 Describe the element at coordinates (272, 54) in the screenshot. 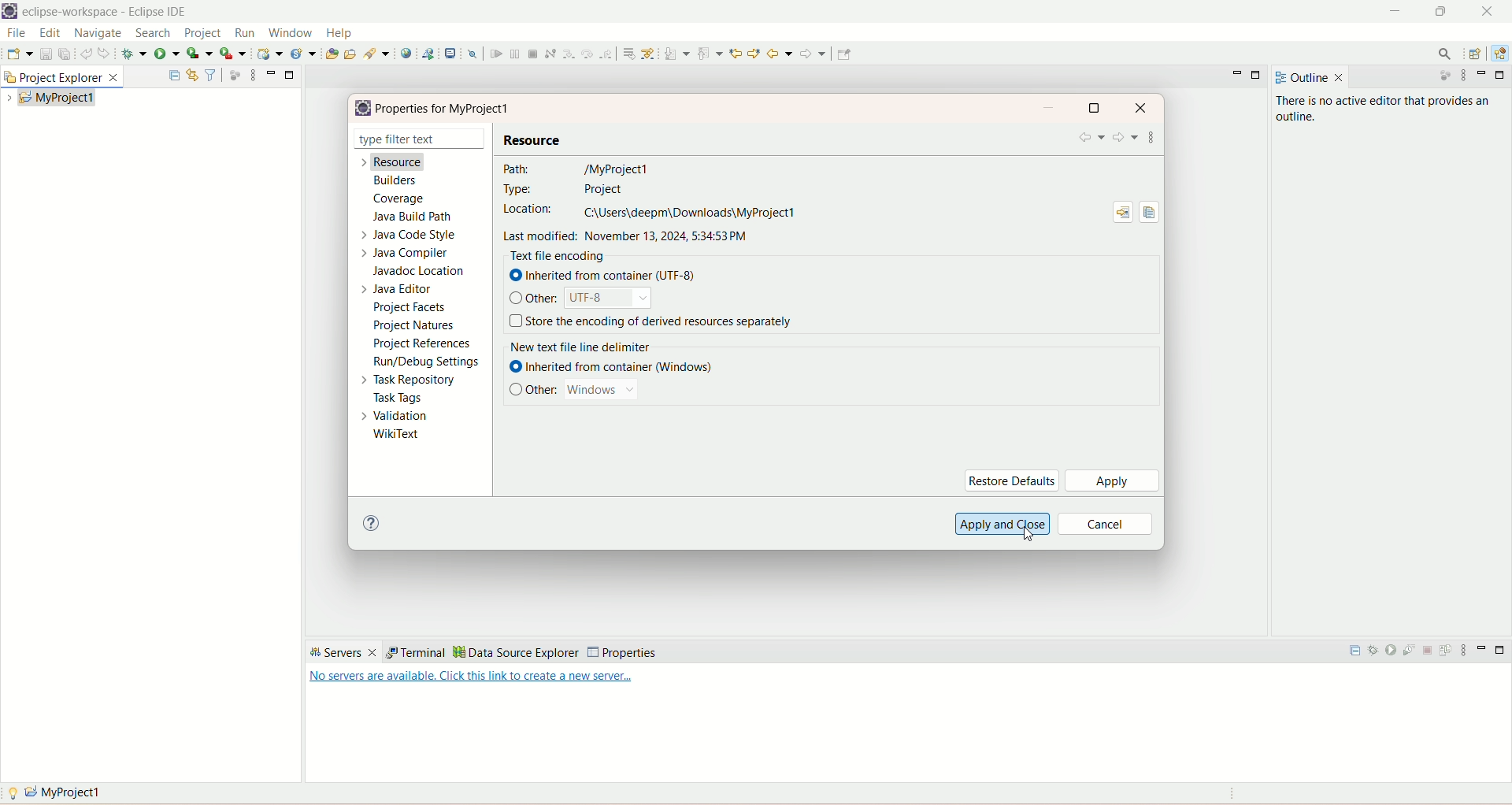

I see `create a dynamic web service` at that location.